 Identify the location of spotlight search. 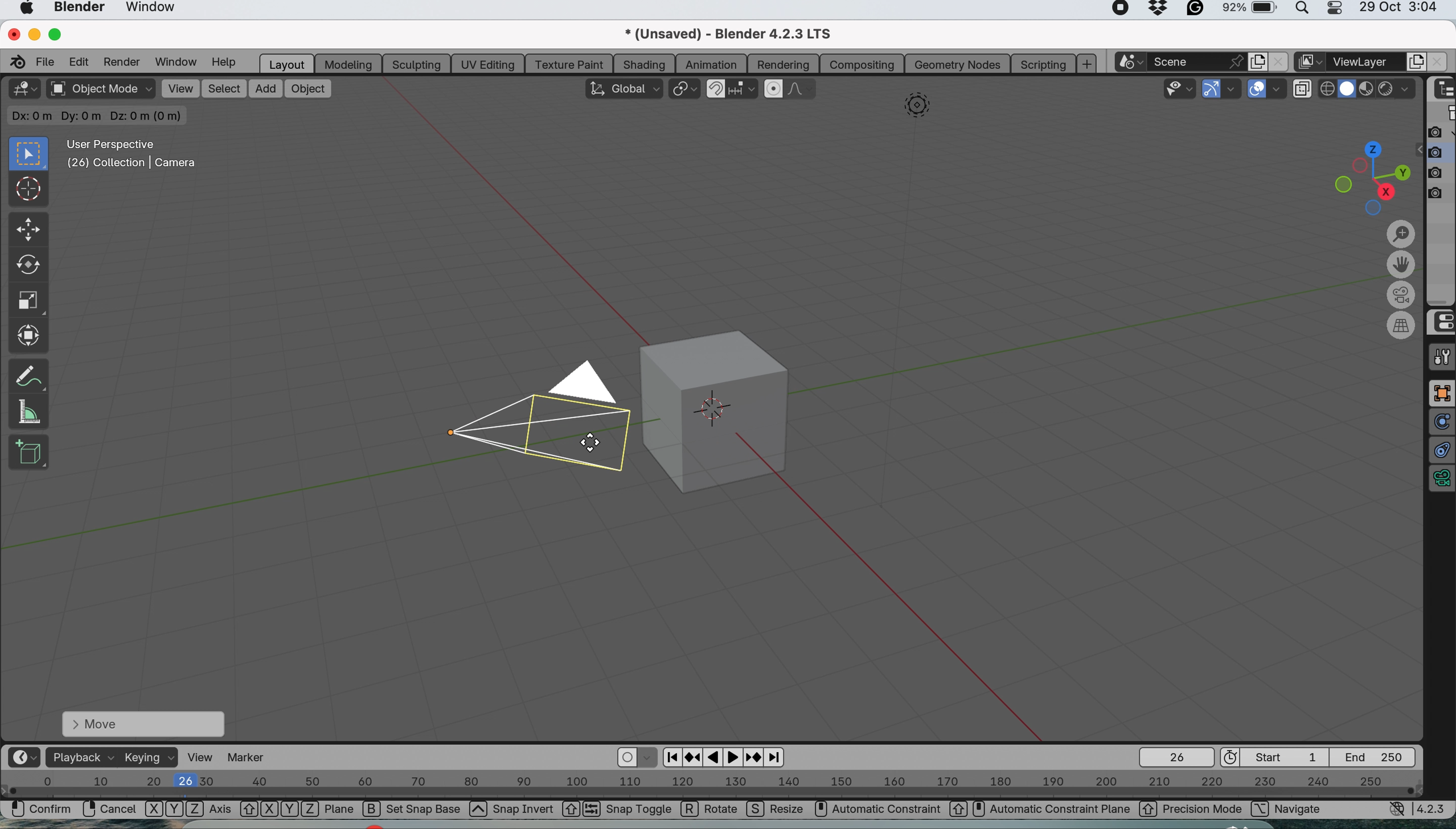
(1305, 11).